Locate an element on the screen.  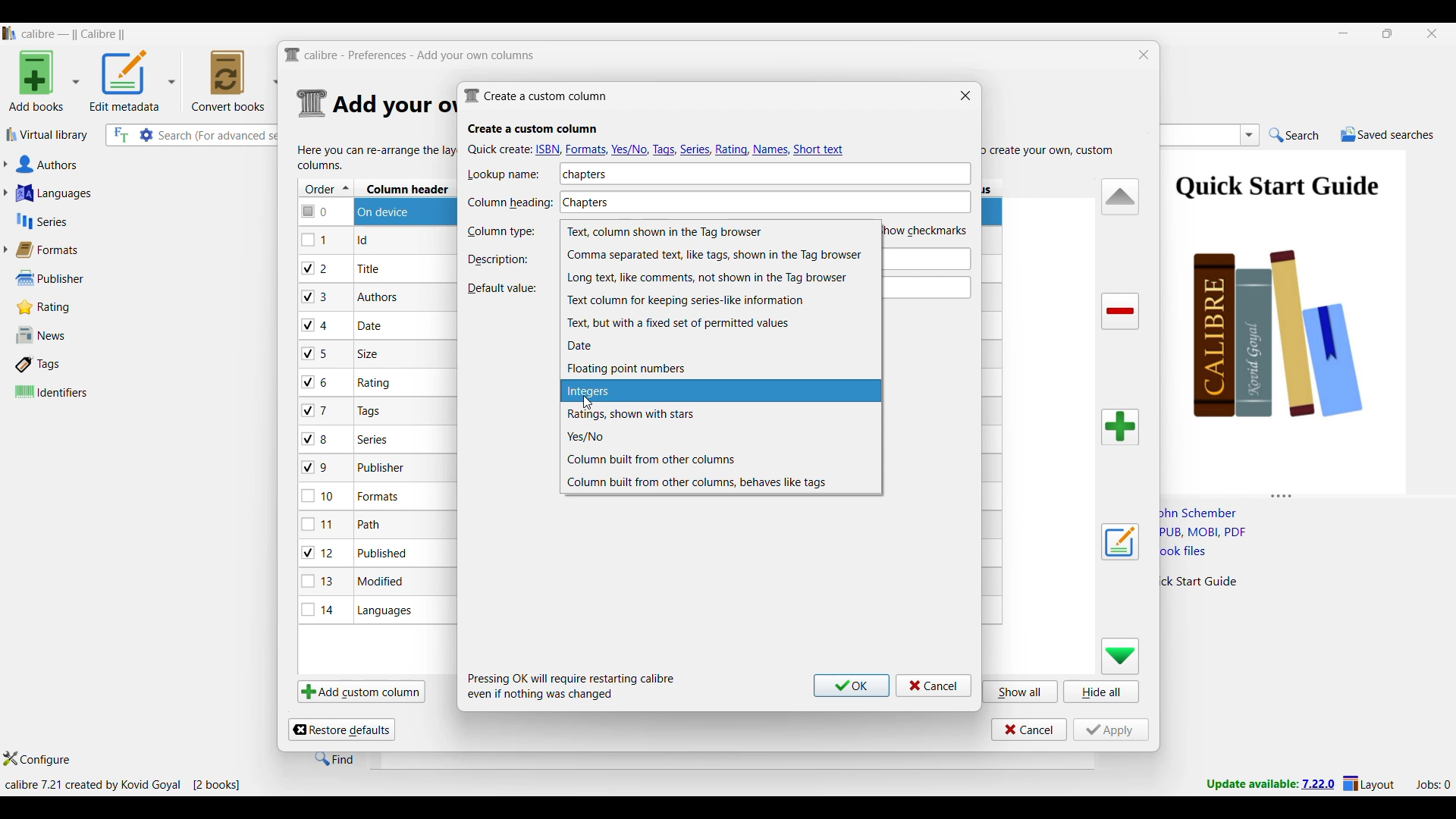
Minimize is located at coordinates (1344, 33).